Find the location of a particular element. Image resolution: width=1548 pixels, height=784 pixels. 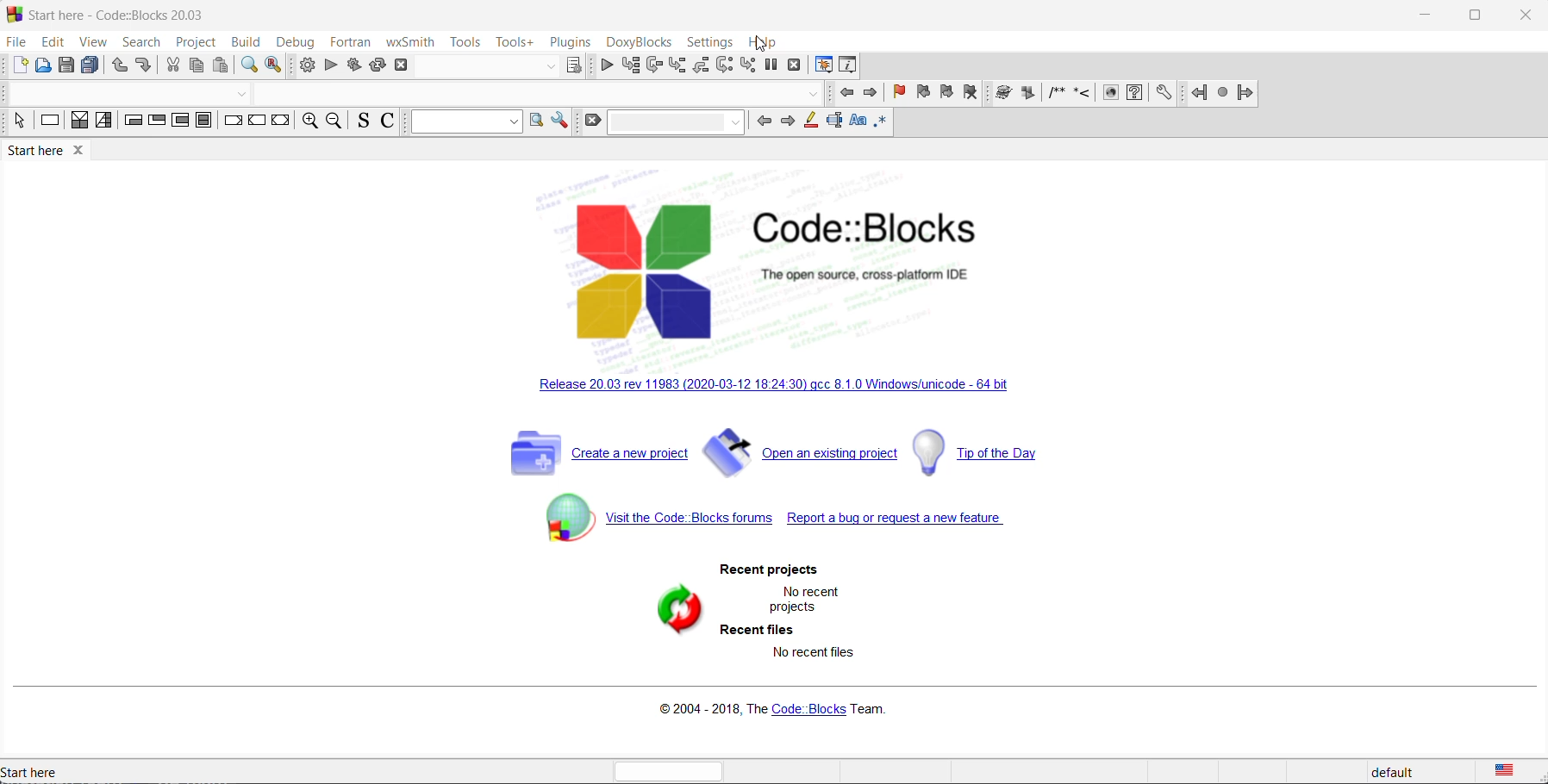

settings is located at coordinates (561, 124).